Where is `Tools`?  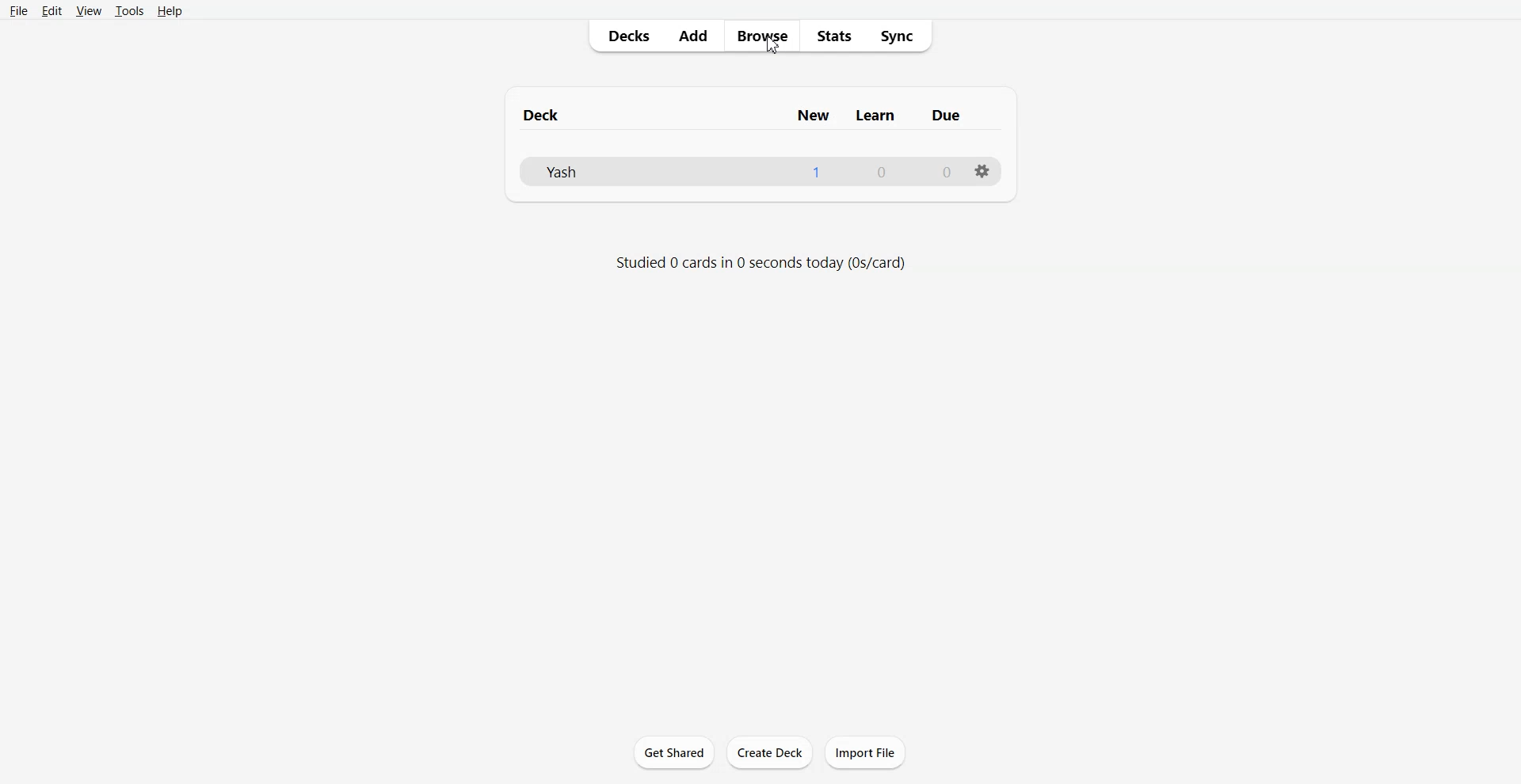
Tools is located at coordinates (128, 10).